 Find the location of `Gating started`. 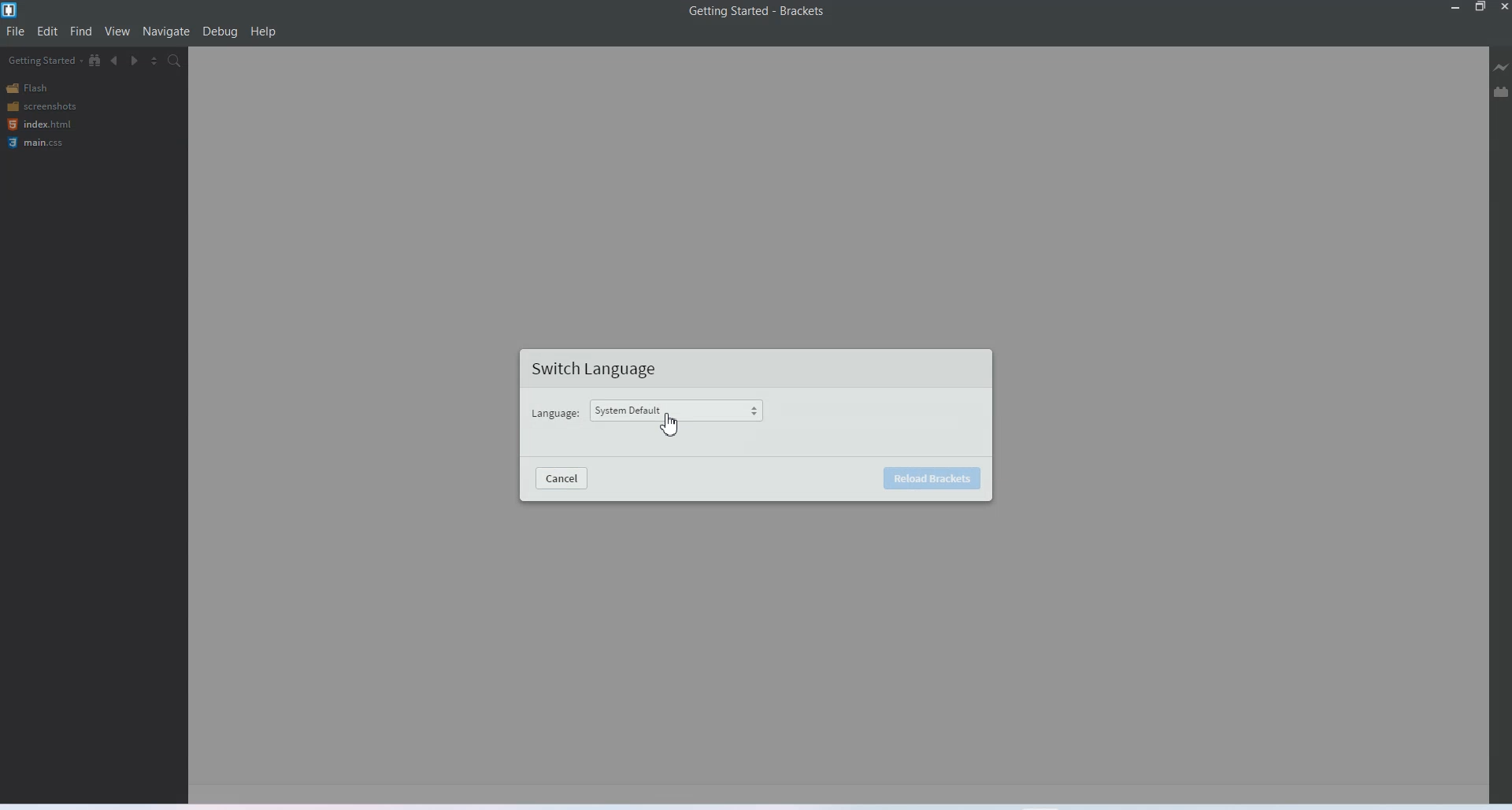

Gating started is located at coordinates (40, 61).